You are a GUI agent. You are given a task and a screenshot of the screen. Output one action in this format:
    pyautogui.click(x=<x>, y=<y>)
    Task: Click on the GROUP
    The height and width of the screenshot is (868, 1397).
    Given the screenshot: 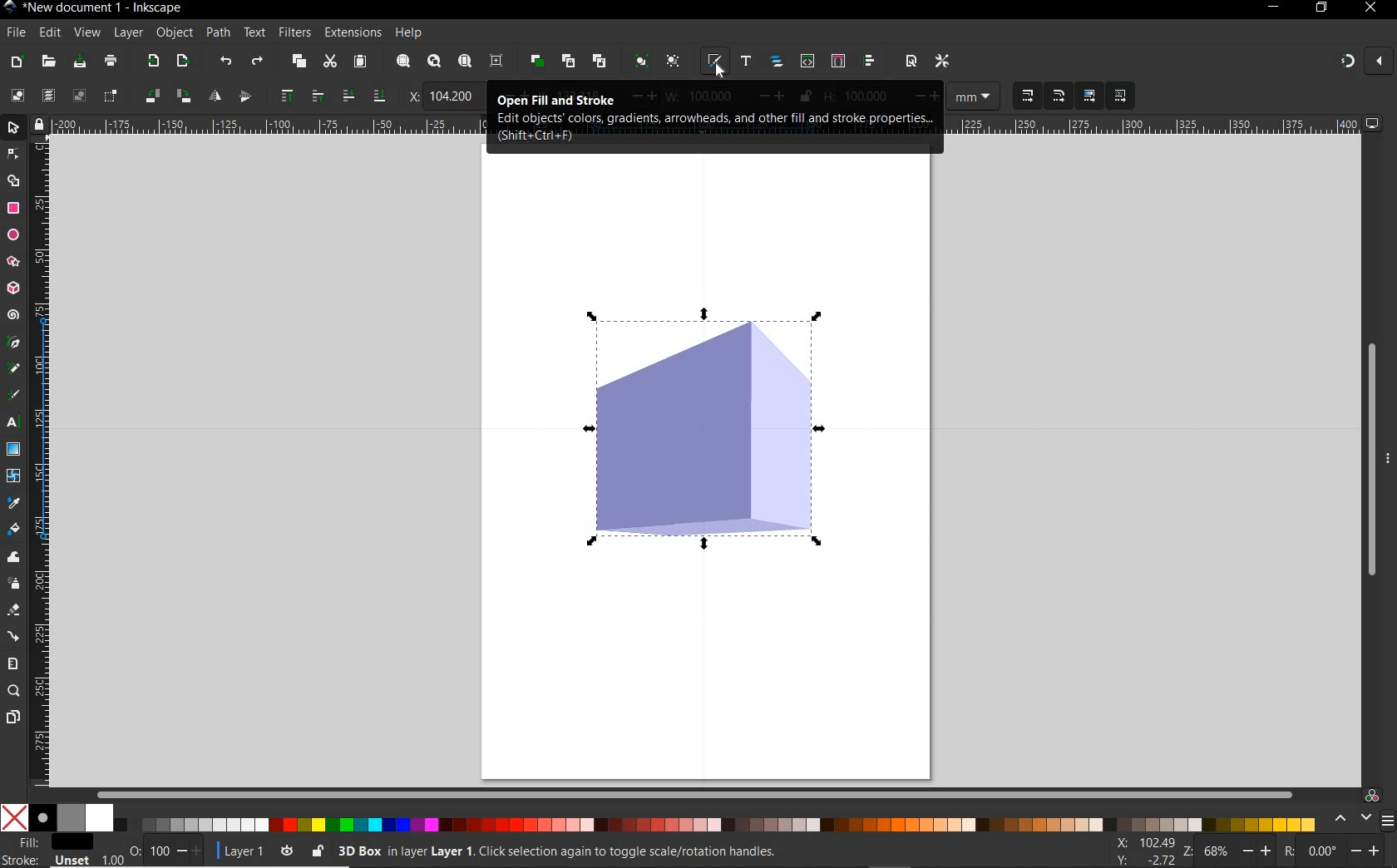 What is the action you would take?
    pyautogui.click(x=639, y=61)
    